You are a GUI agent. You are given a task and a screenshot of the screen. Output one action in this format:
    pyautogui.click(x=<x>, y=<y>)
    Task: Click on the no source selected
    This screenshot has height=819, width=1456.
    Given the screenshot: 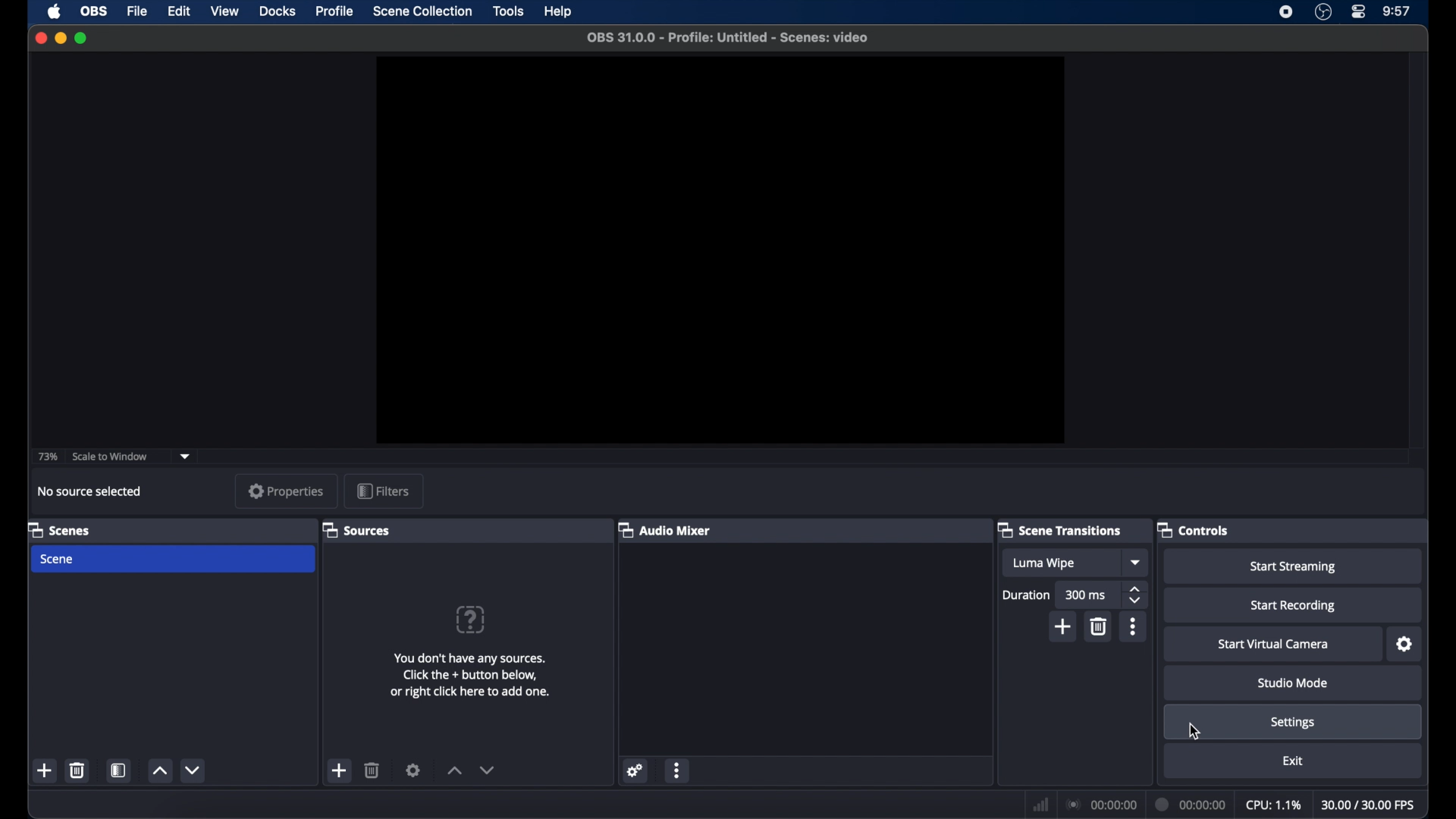 What is the action you would take?
    pyautogui.click(x=90, y=491)
    